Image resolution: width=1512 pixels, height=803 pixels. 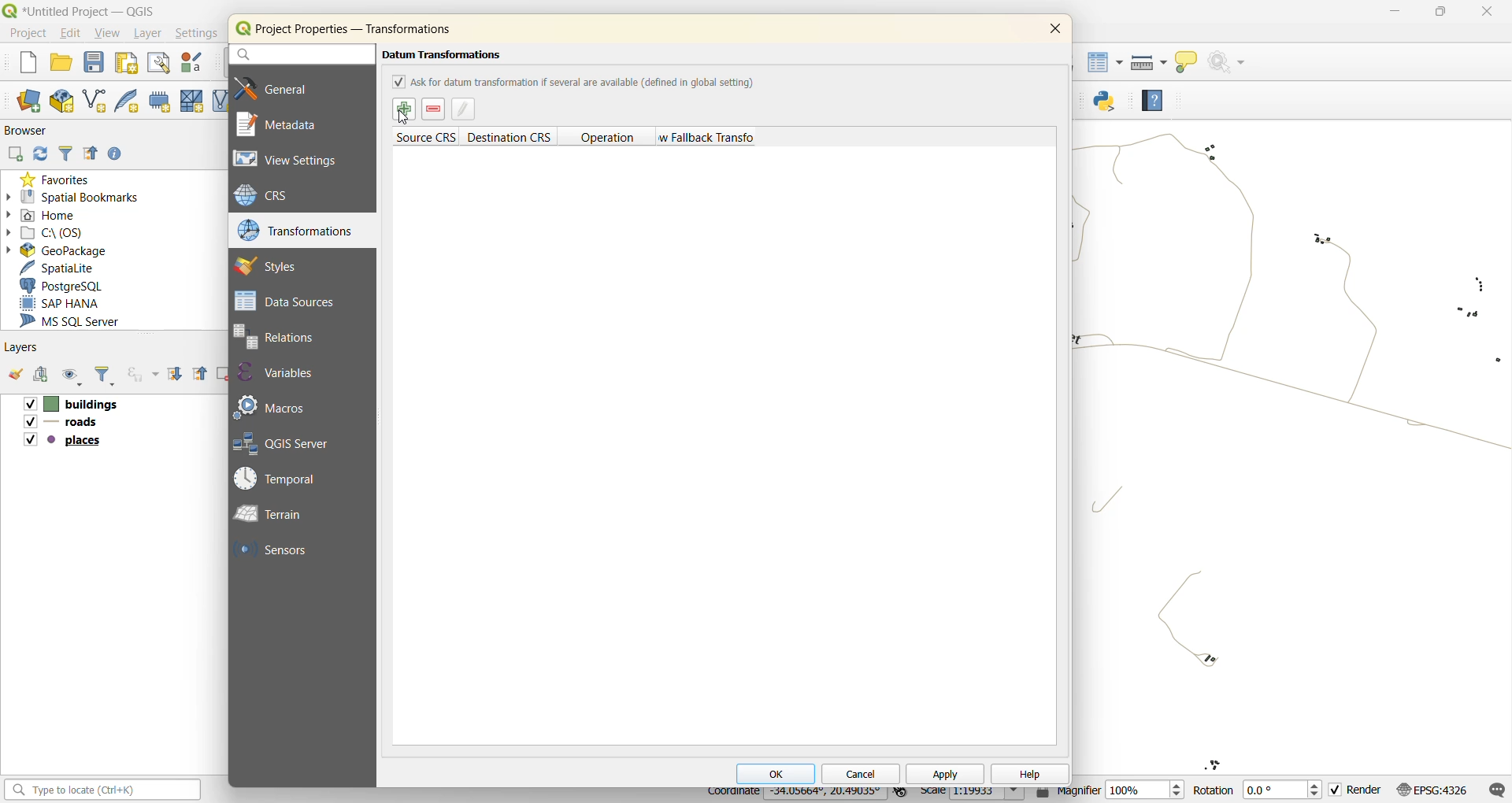 What do you see at coordinates (175, 372) in the screenshot?
I see `expand all` at bounding box center [175, 372].